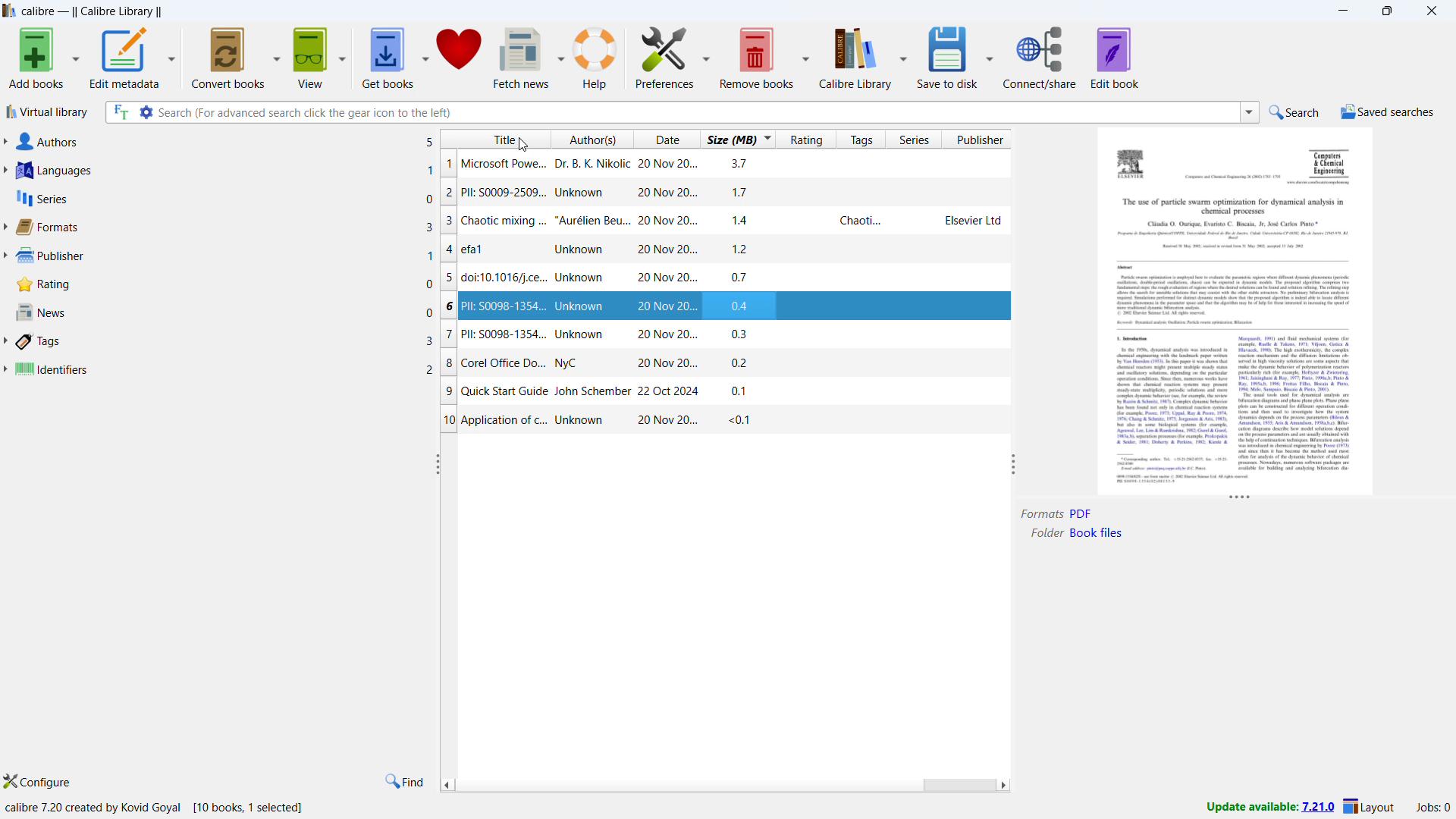 The width and height of the screenshot is (1456, 819). Describe the element at coordinates (1296, 113) in the screenshot. I see `do quick search` at that location.